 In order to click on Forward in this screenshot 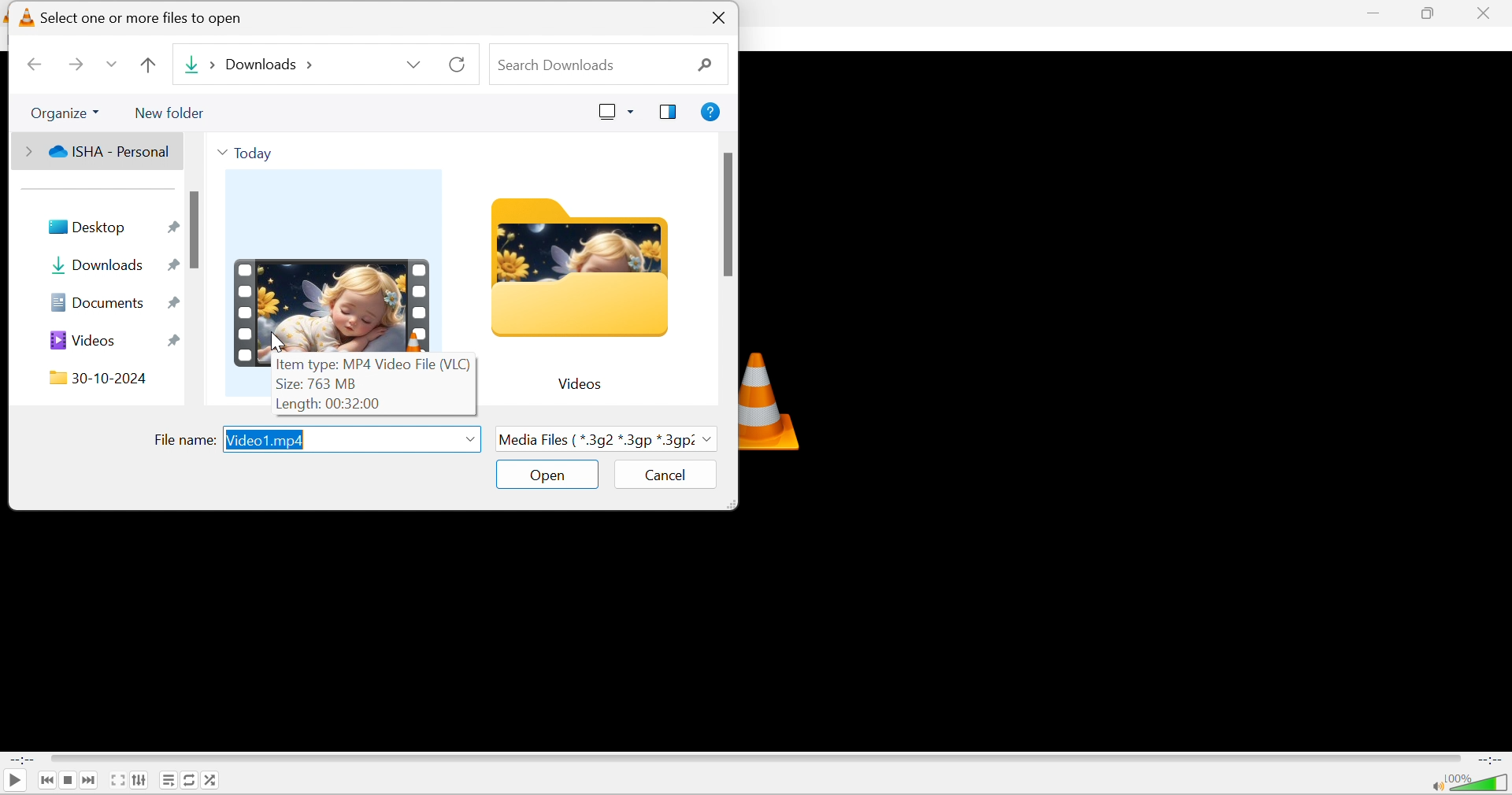, I will do `click(74, 65)`.